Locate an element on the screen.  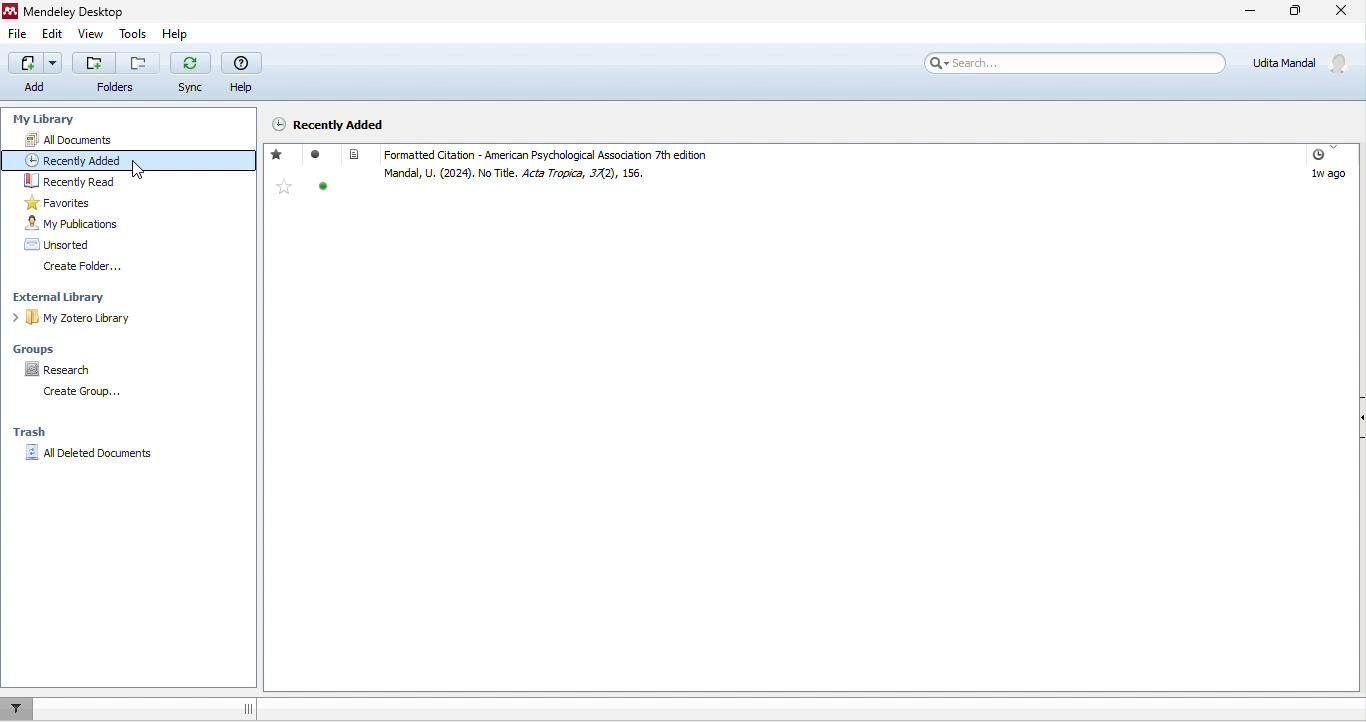
hide is located at coordinates (1357, 419).